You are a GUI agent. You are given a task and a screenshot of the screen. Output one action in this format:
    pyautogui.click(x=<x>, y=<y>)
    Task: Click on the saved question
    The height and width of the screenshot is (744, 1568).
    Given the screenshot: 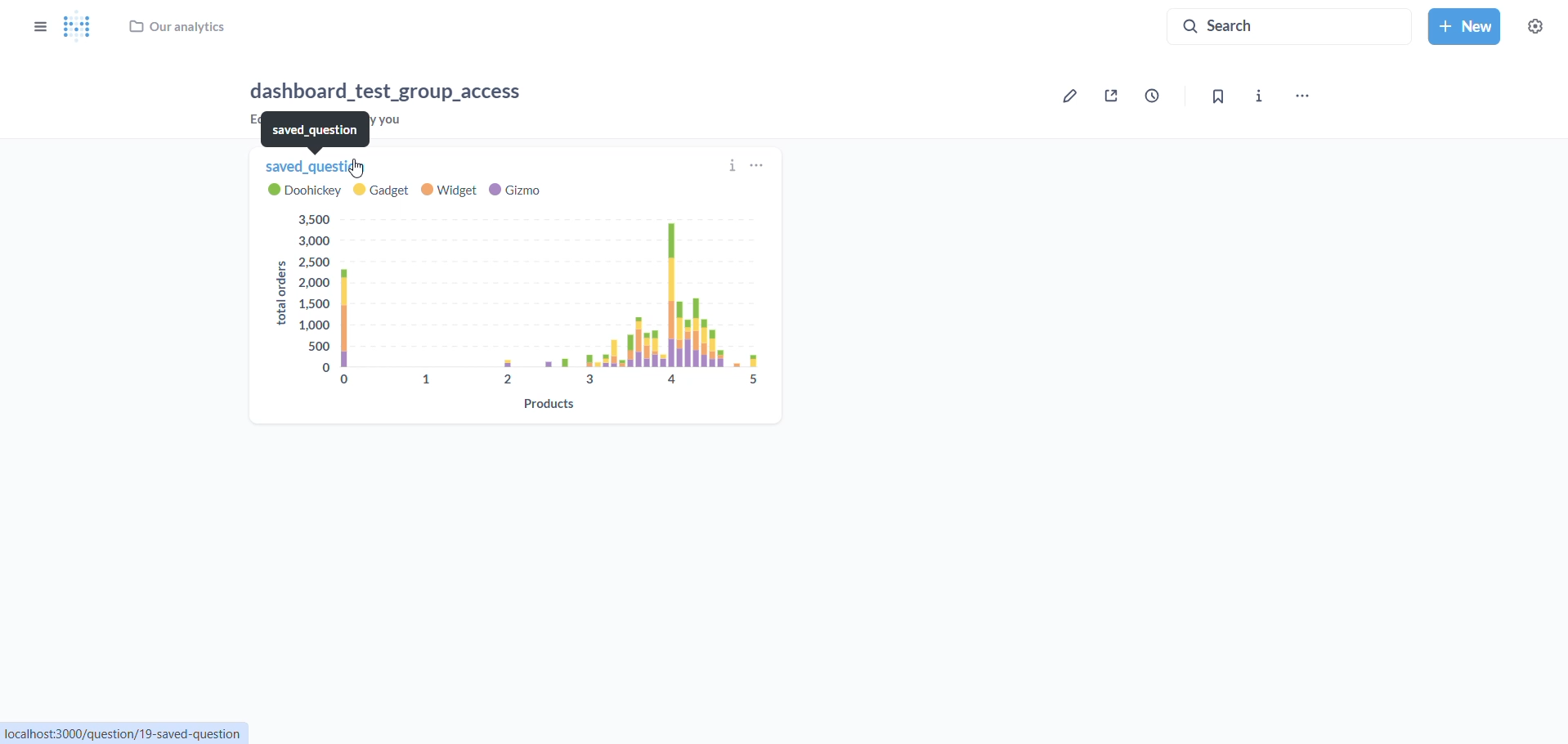 What is the action you would take?
    pyautogui.click(x=315, y=171)
    